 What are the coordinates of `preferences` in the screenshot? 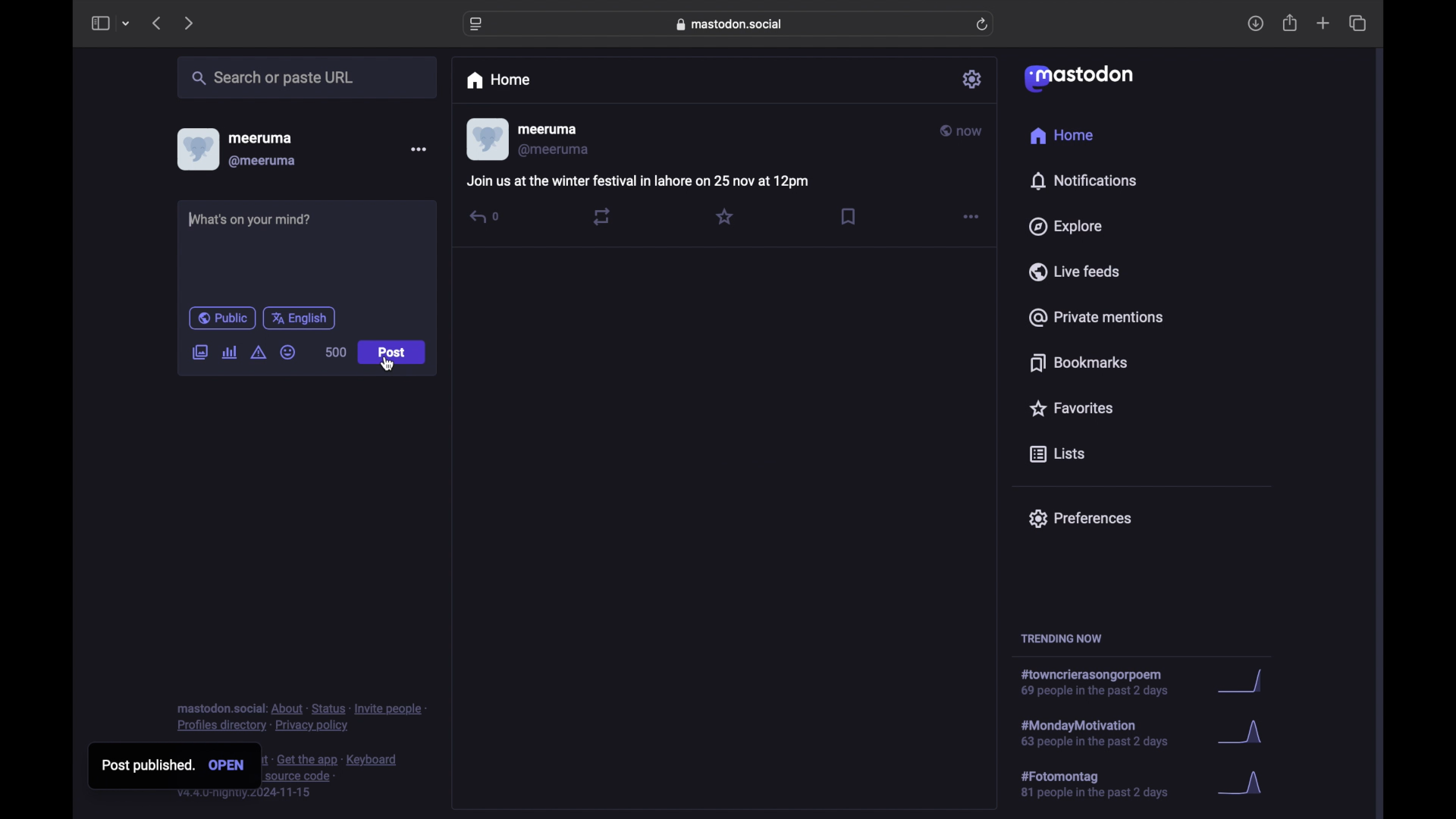 It's located at (1079, 517).